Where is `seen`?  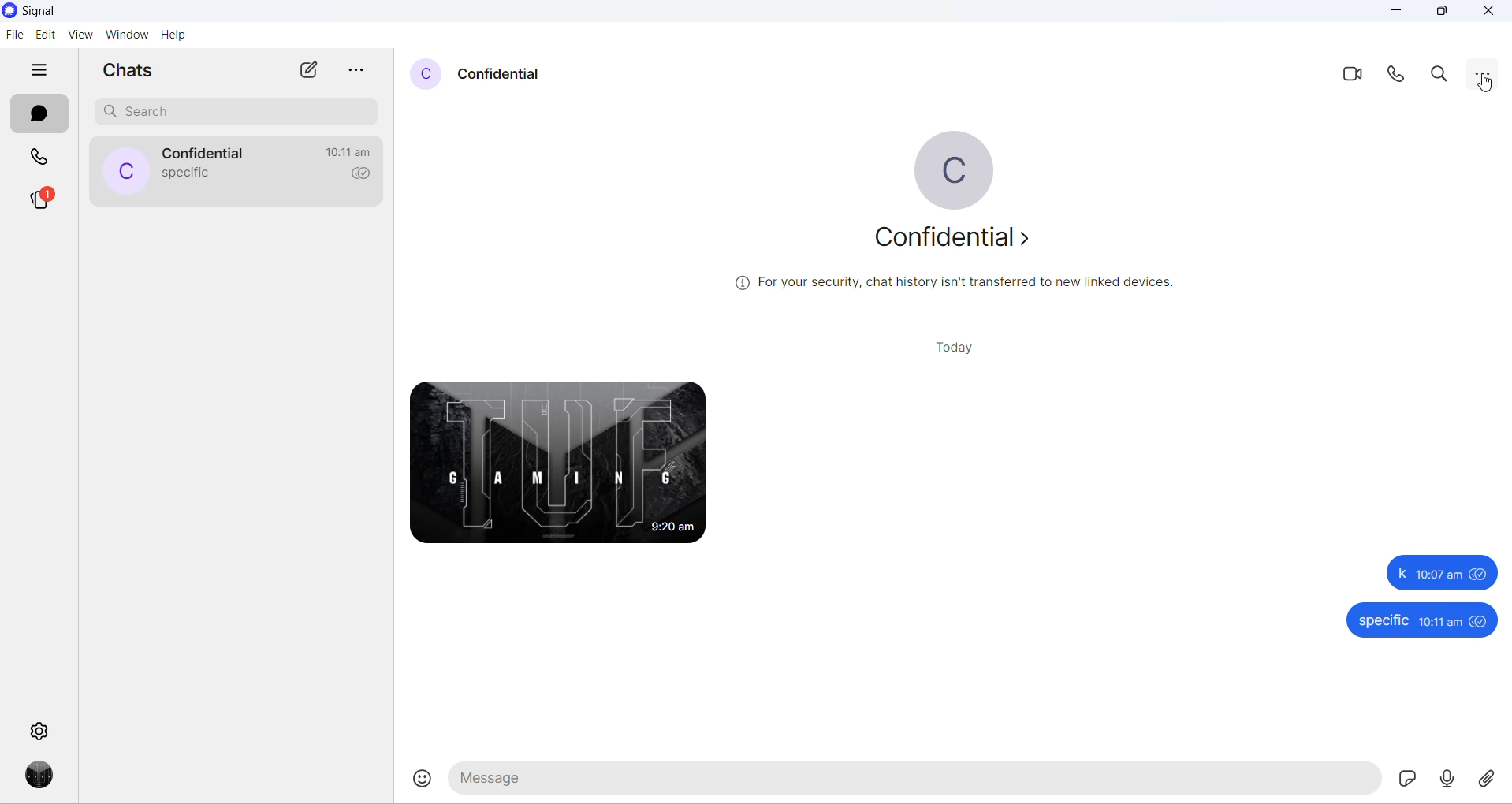
seen is located at coordinates (1481, 622).